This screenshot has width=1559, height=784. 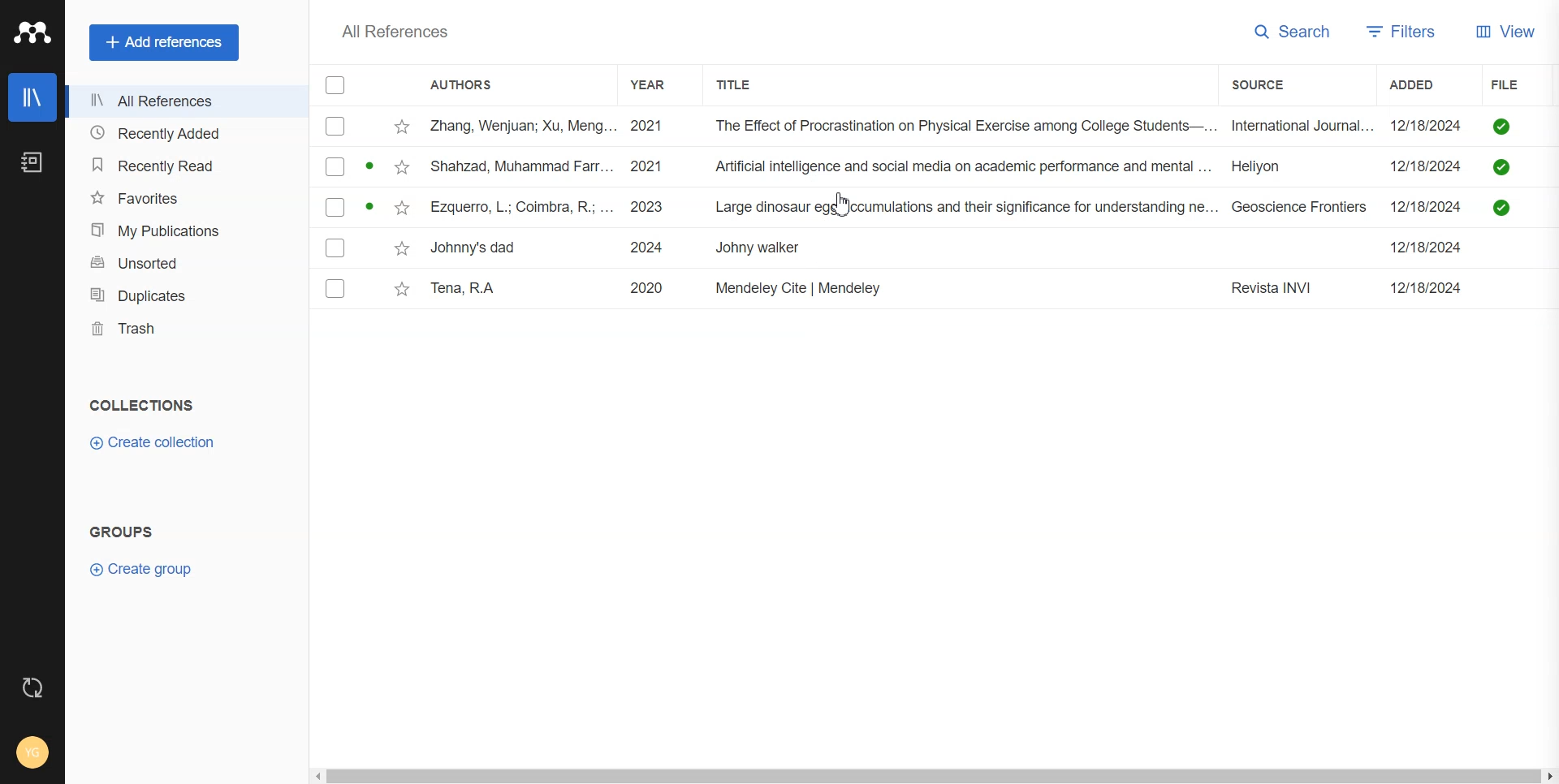 I want to click on Recently Read, so click(x=184, y=164).